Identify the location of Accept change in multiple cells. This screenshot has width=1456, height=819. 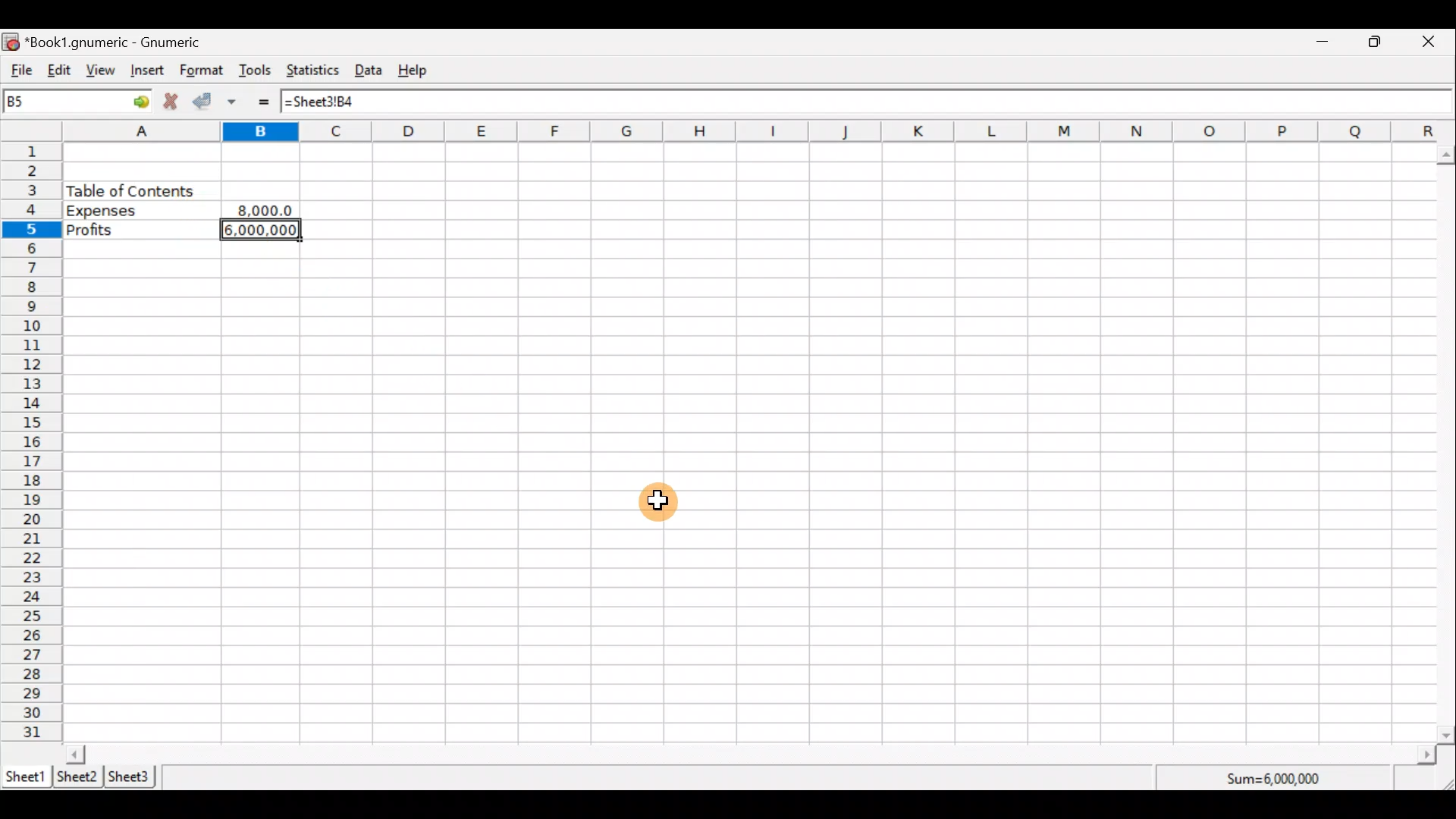
(237, 102).